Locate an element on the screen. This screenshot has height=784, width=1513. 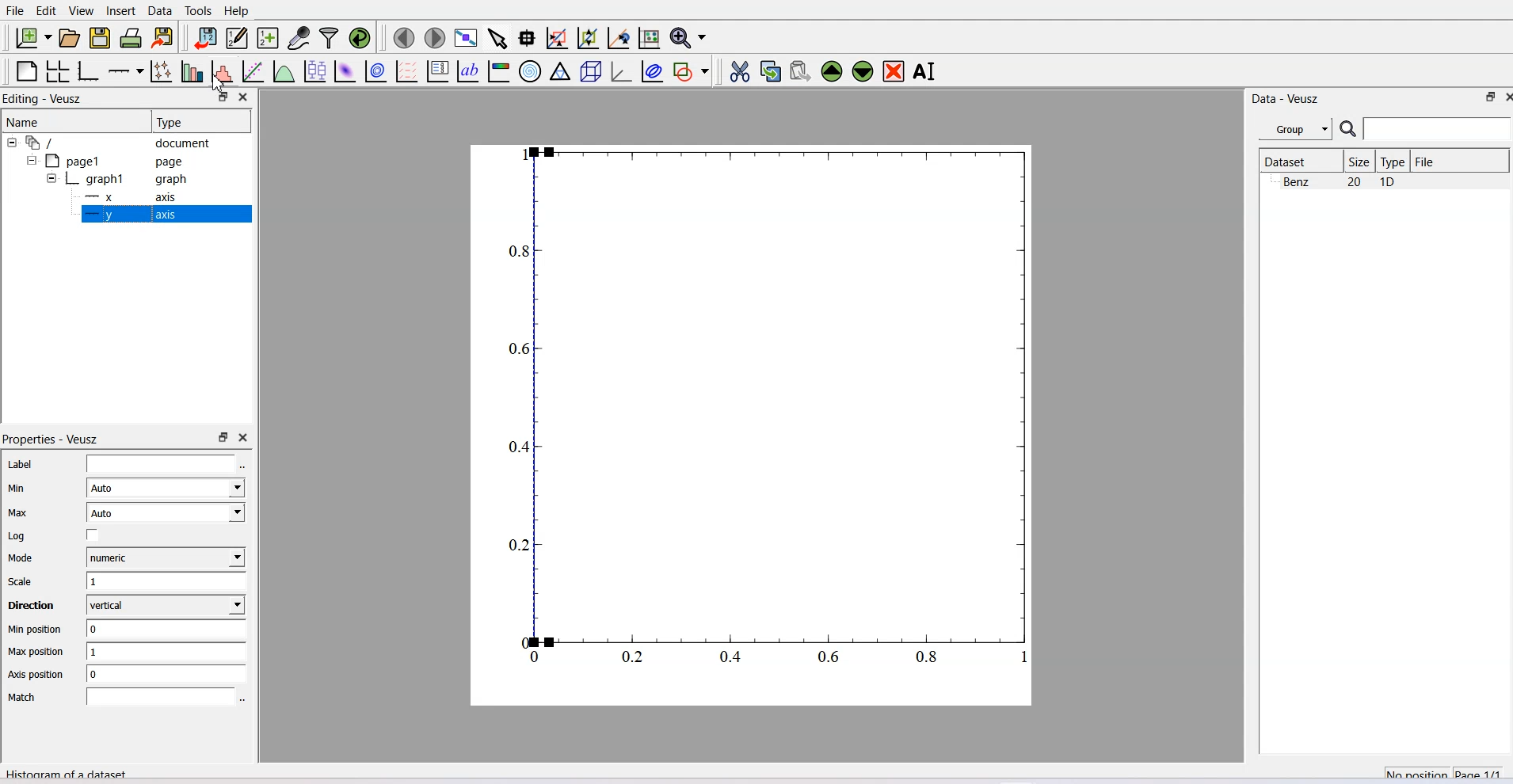
View is located at coordinates (82, 11).